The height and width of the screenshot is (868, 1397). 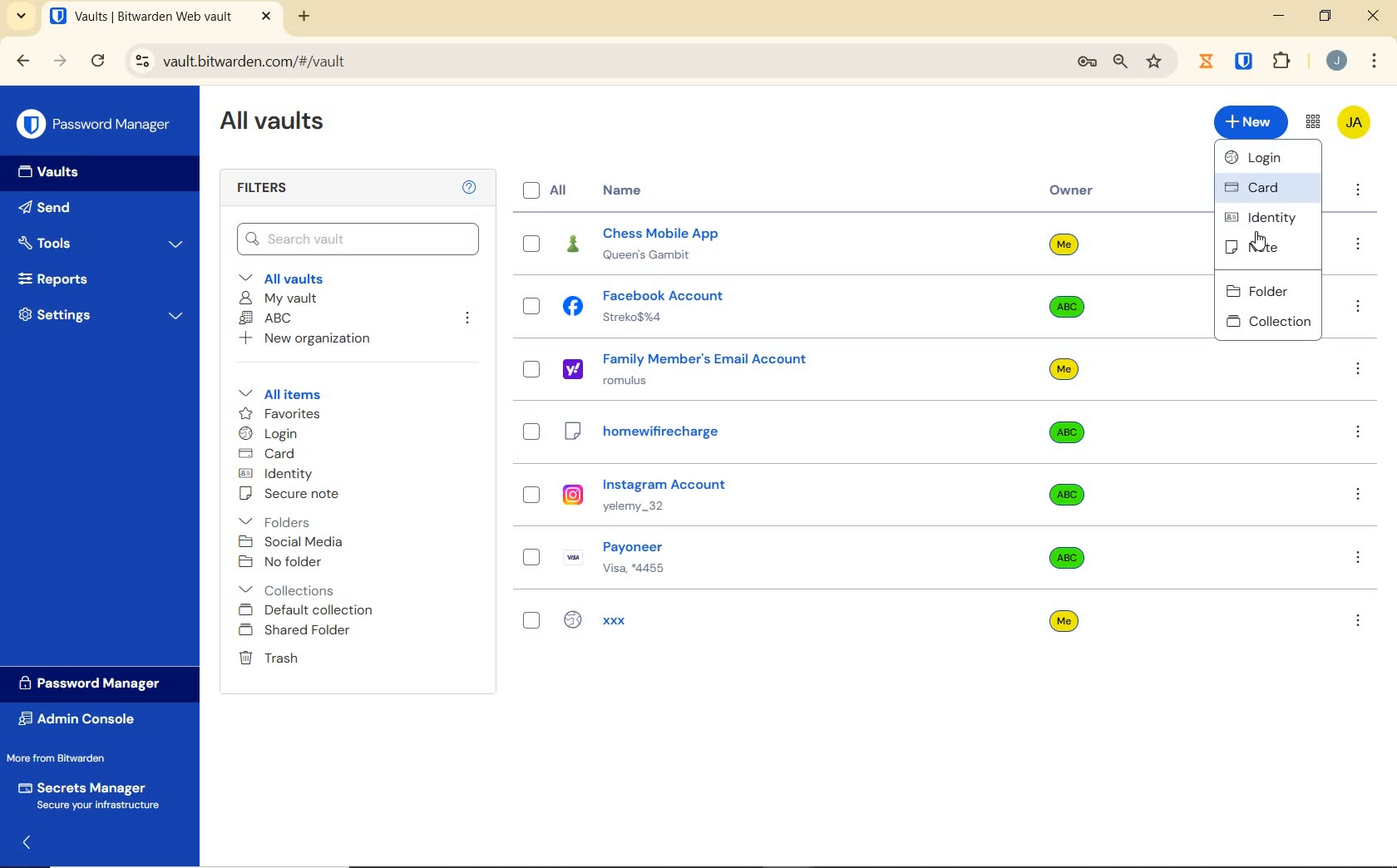 What do you see at coordinates (1358, 620) in the screenshot?
I see `more options` at bounding box center [1358, 620].